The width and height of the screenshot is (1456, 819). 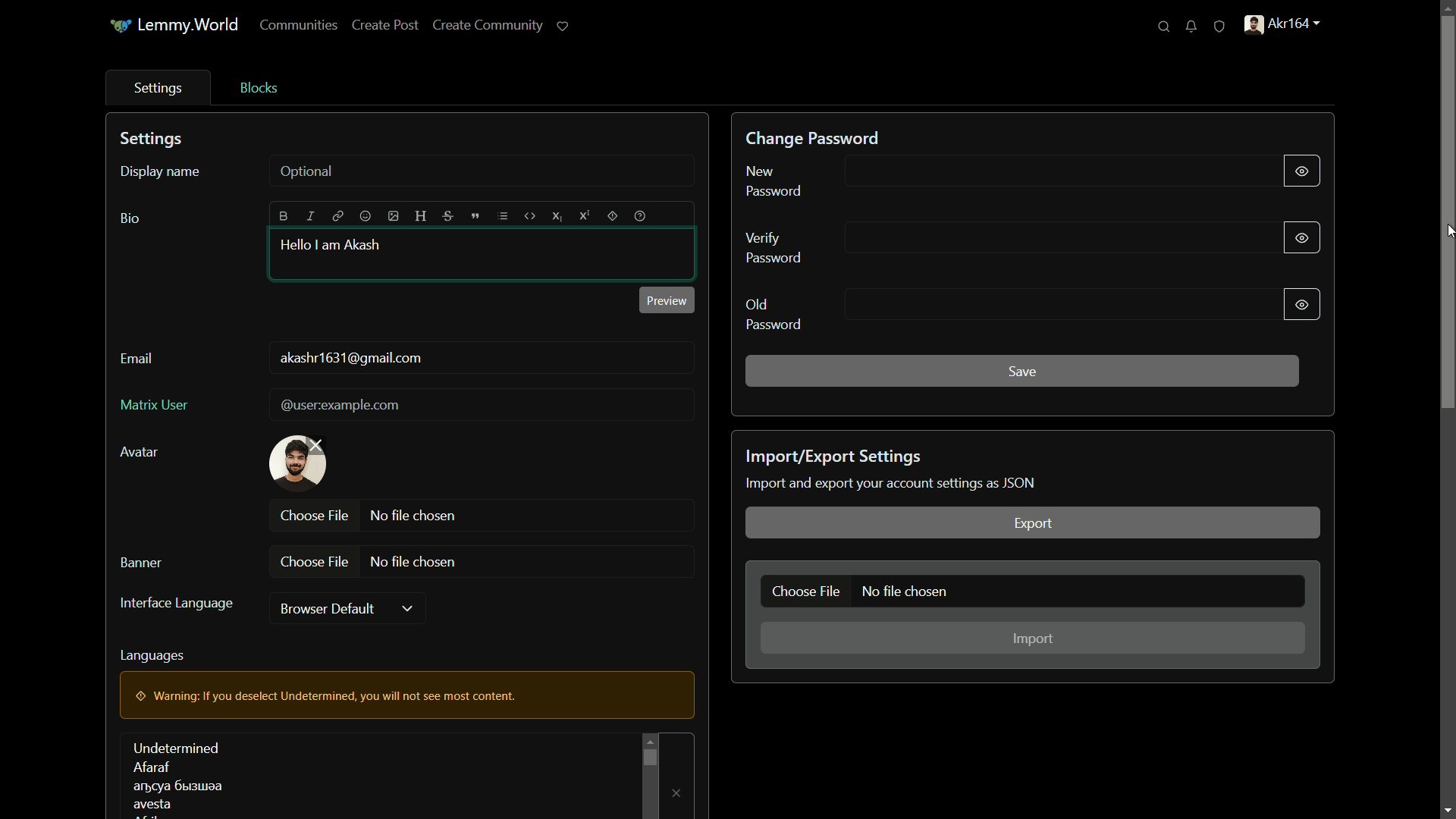 I want to click on dropdown, so click(x=407, y=610).